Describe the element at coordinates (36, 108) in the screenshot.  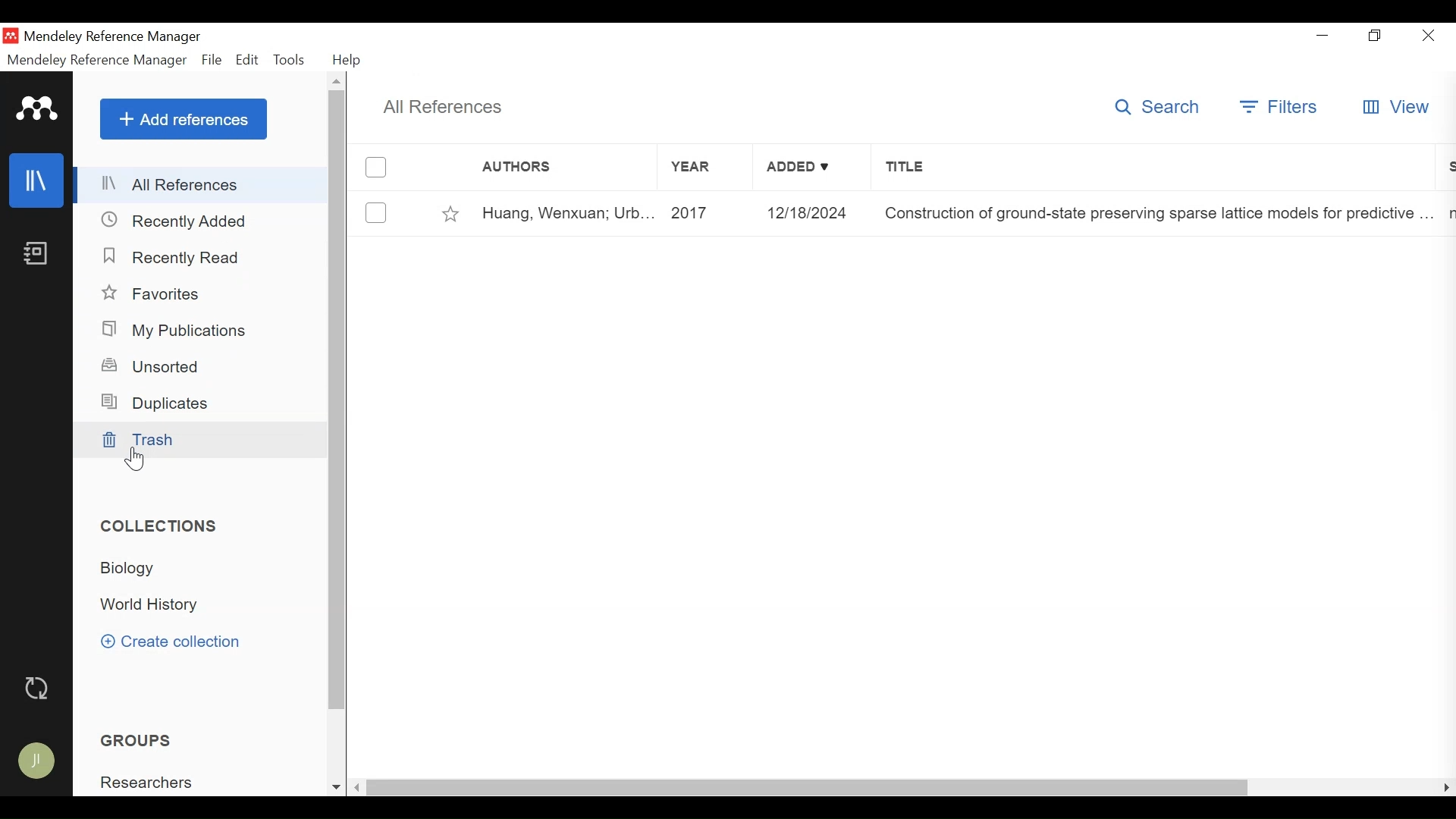
I see `Mendeley Logo` at that location.